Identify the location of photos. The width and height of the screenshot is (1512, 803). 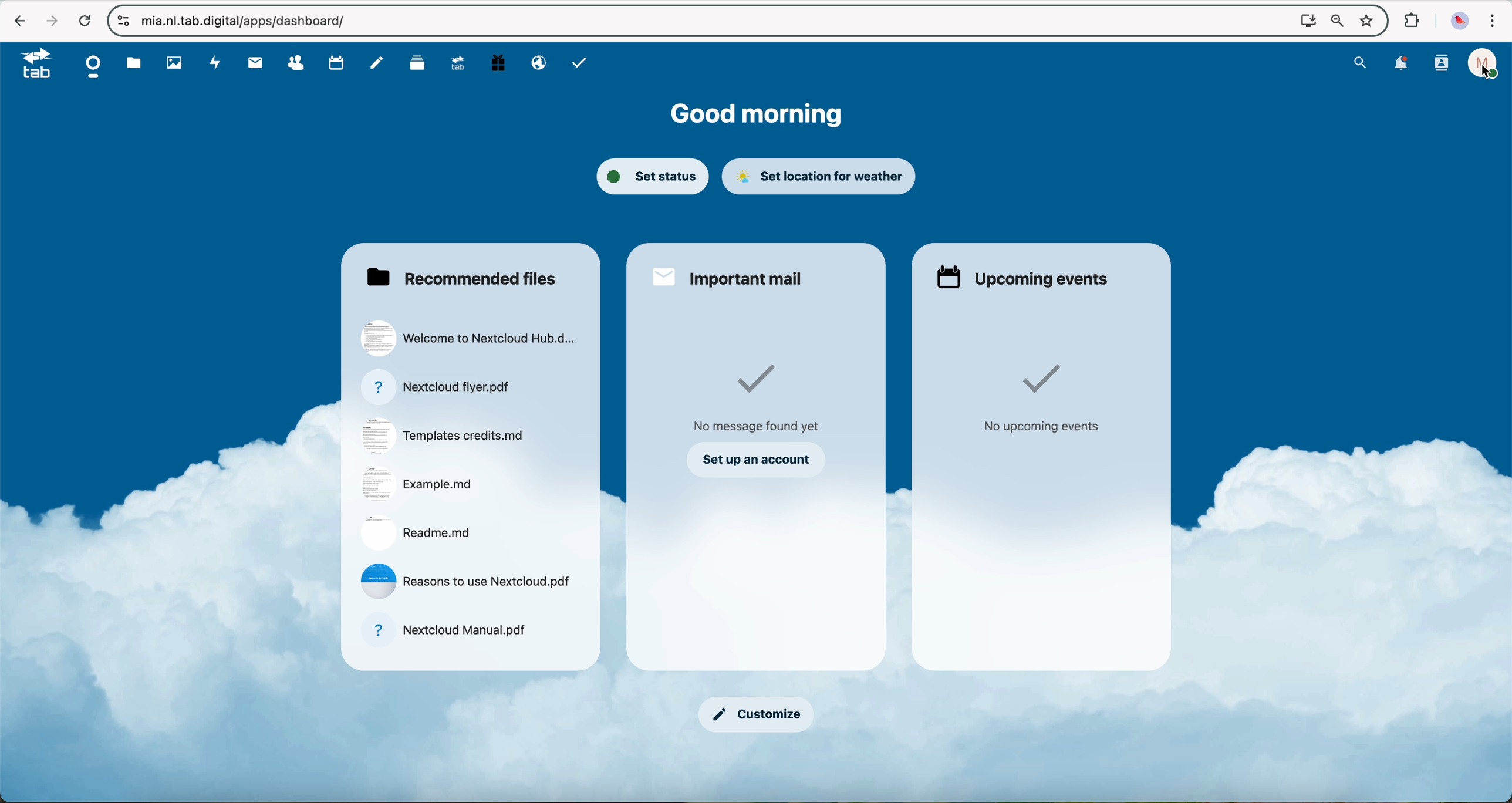
(173, 63).